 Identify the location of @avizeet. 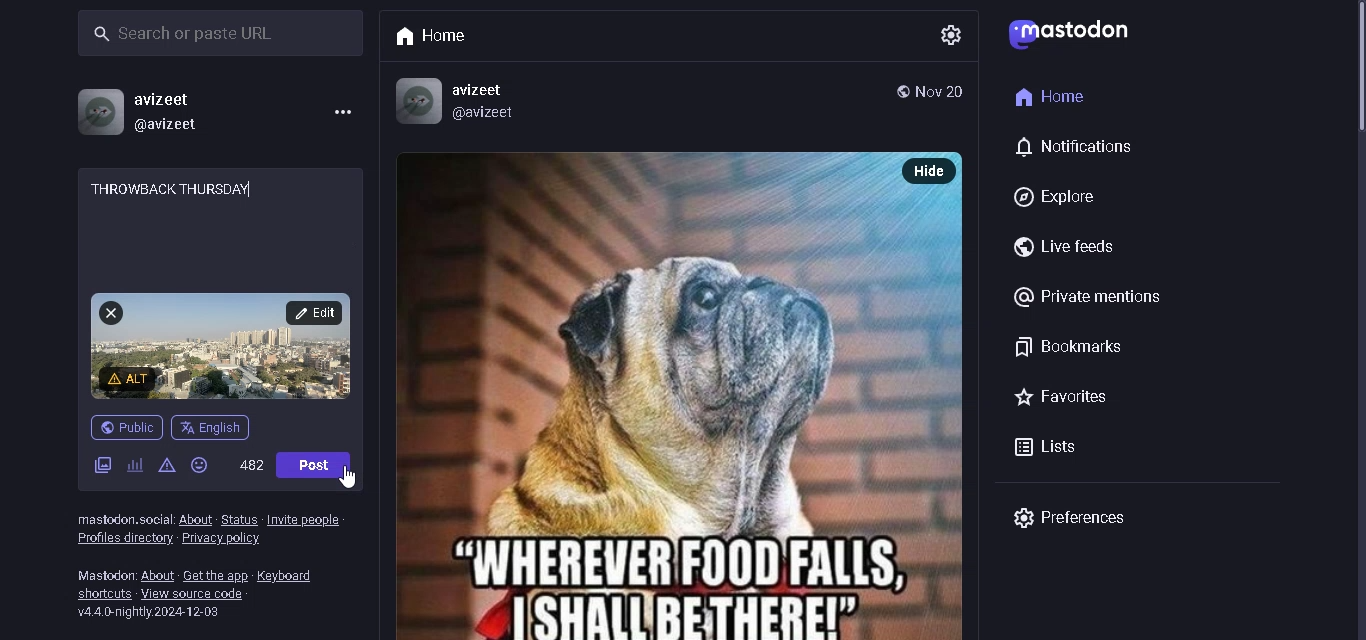
(497, 113).